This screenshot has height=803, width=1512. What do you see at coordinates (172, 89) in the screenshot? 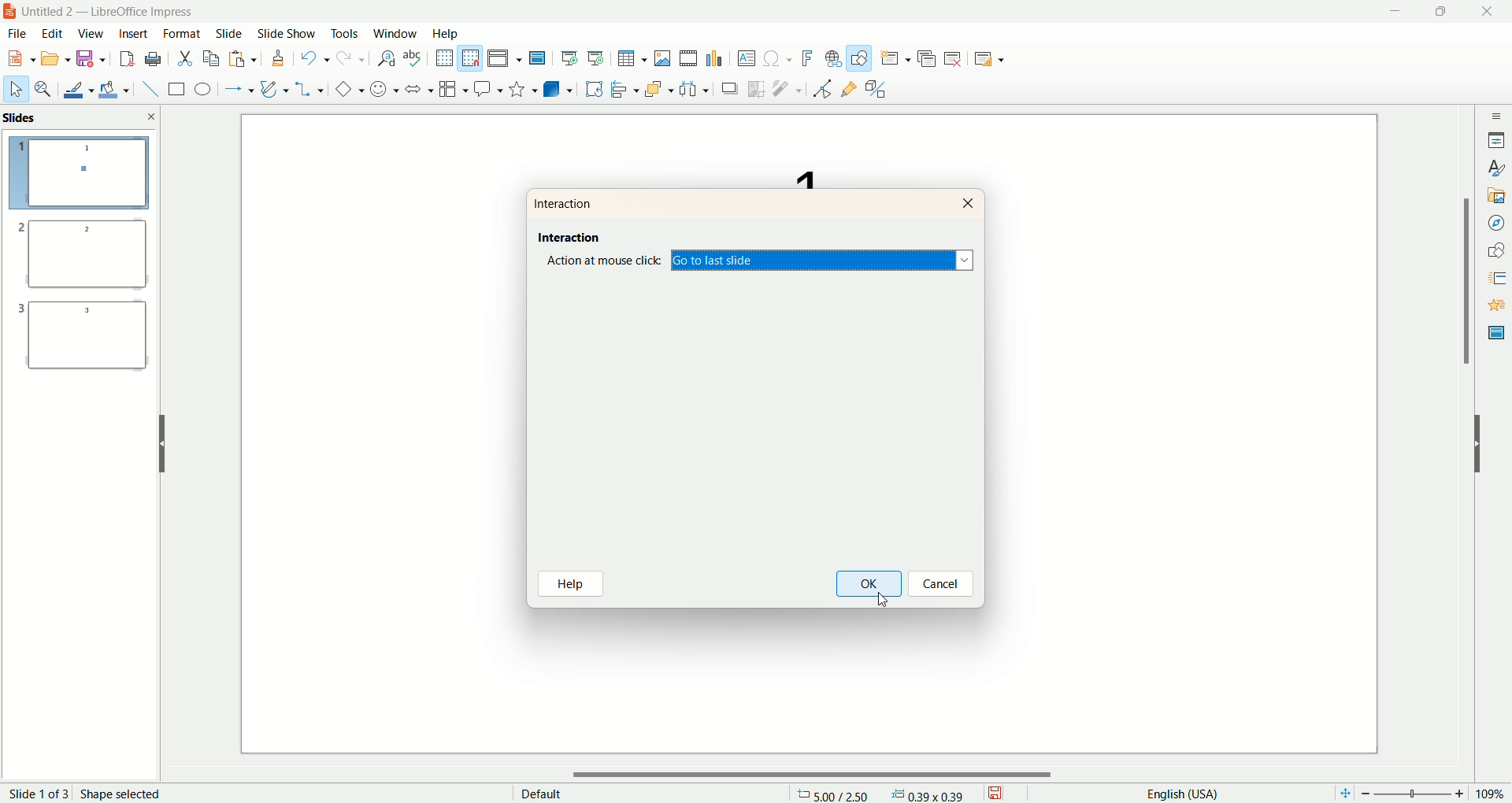
I see `rectangle` at bounding box center [172, 89].